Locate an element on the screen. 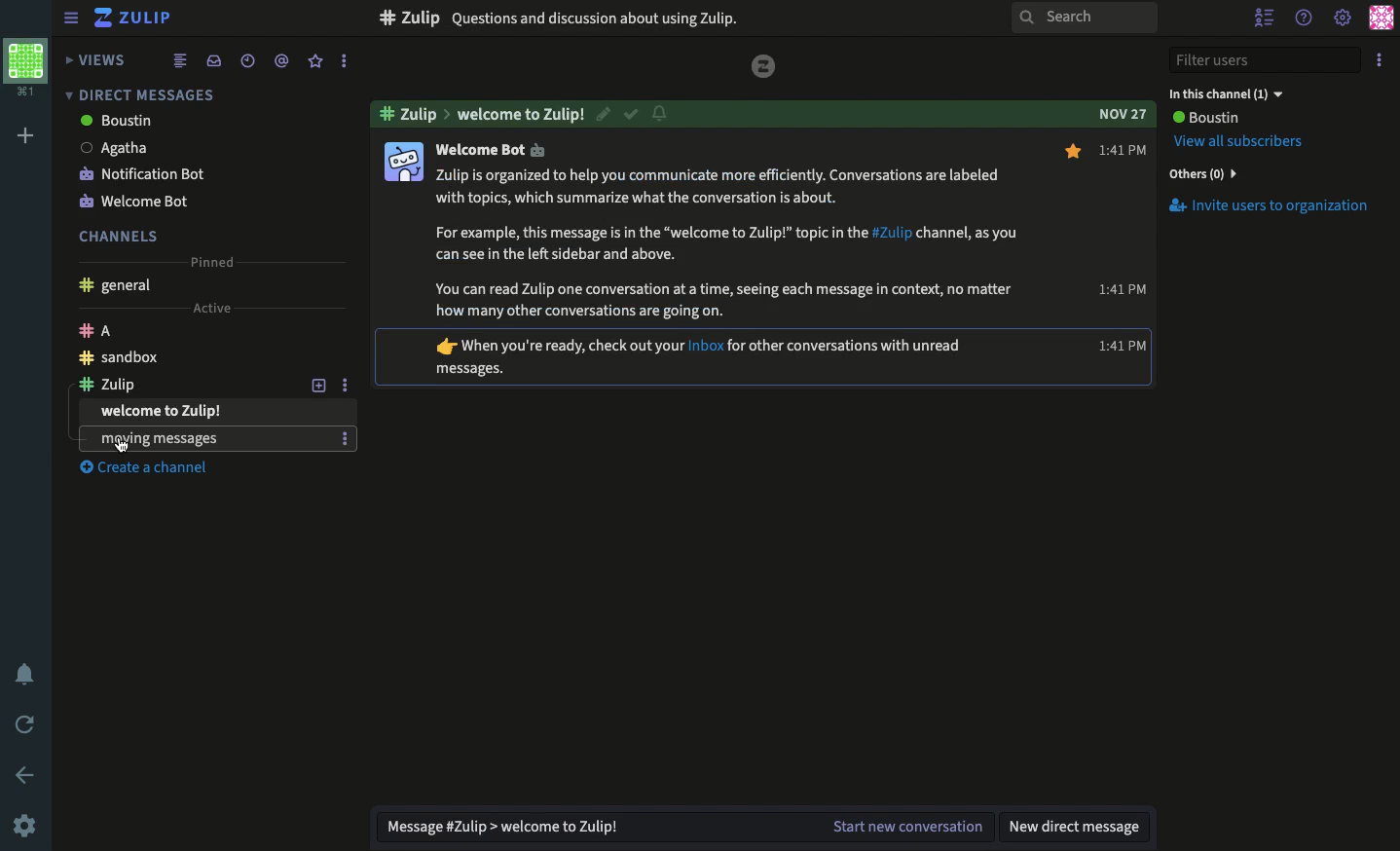 The height and width of the screenshot is (851, 1400). Add a topic is located at coordinates (316, 385).